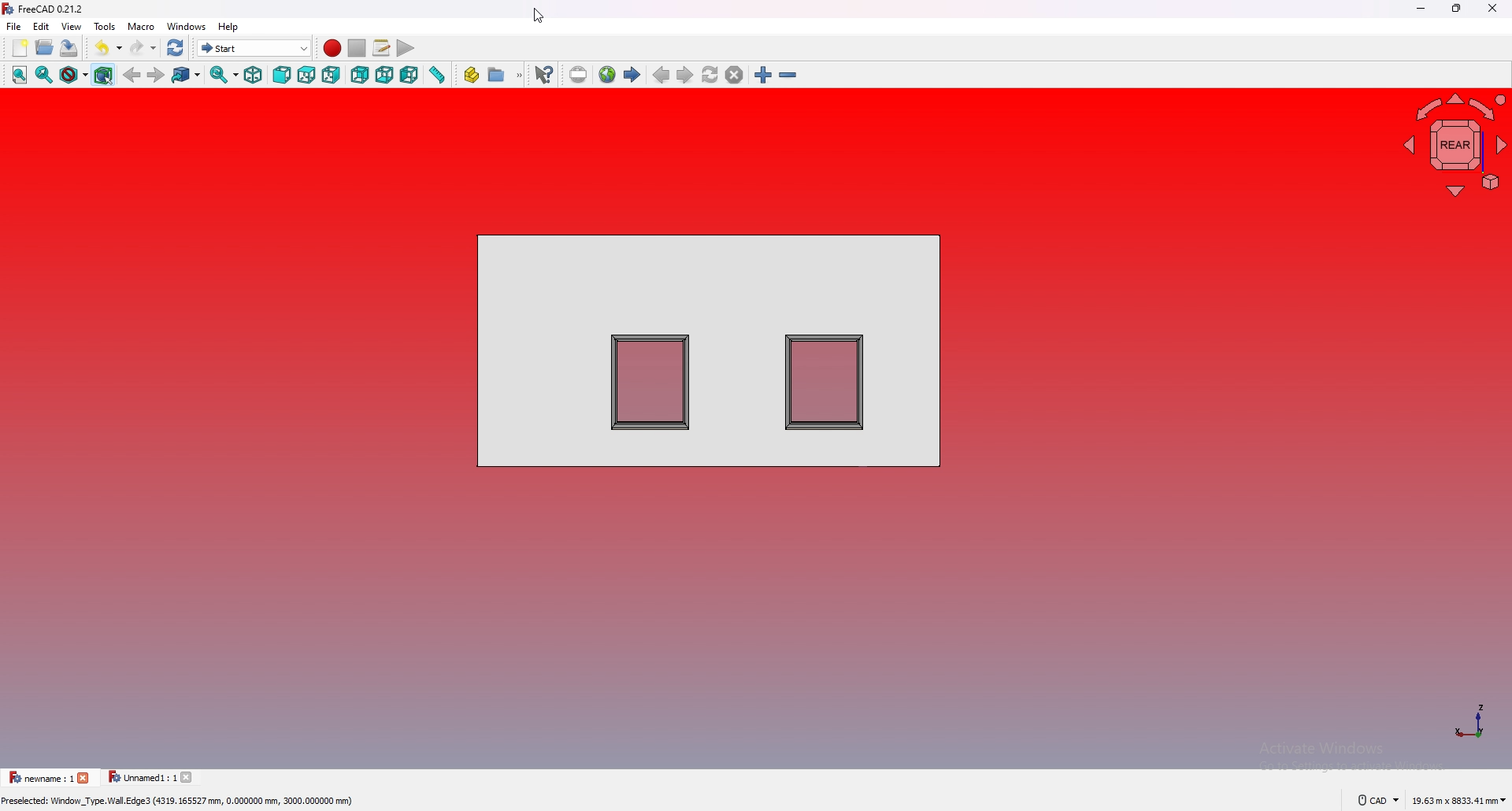  I want to click on measure distance, so click(436, 75).